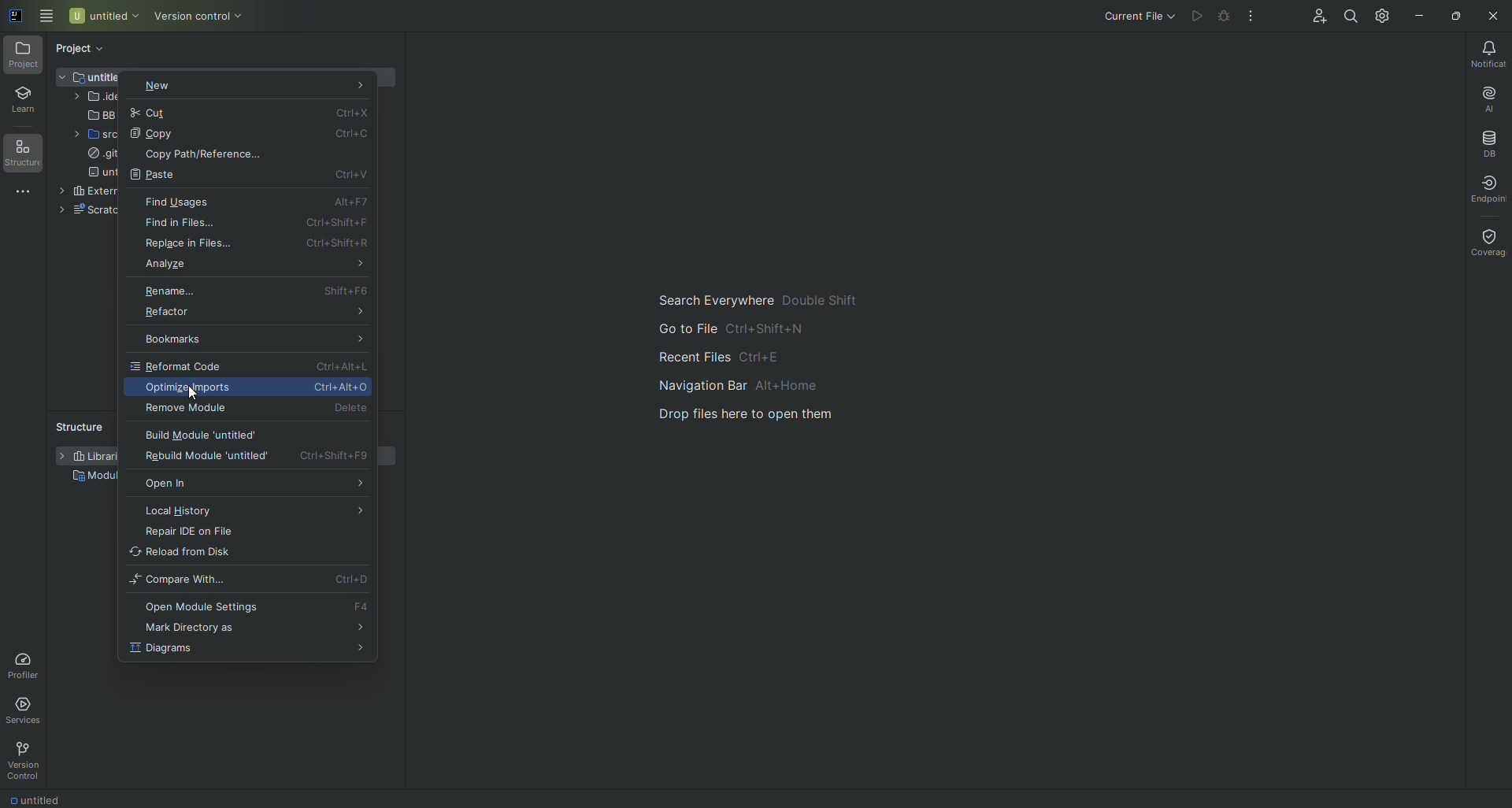 This screenshot has width=1512, height=808. I want to click on AI Assistant, so click(1478, 98).